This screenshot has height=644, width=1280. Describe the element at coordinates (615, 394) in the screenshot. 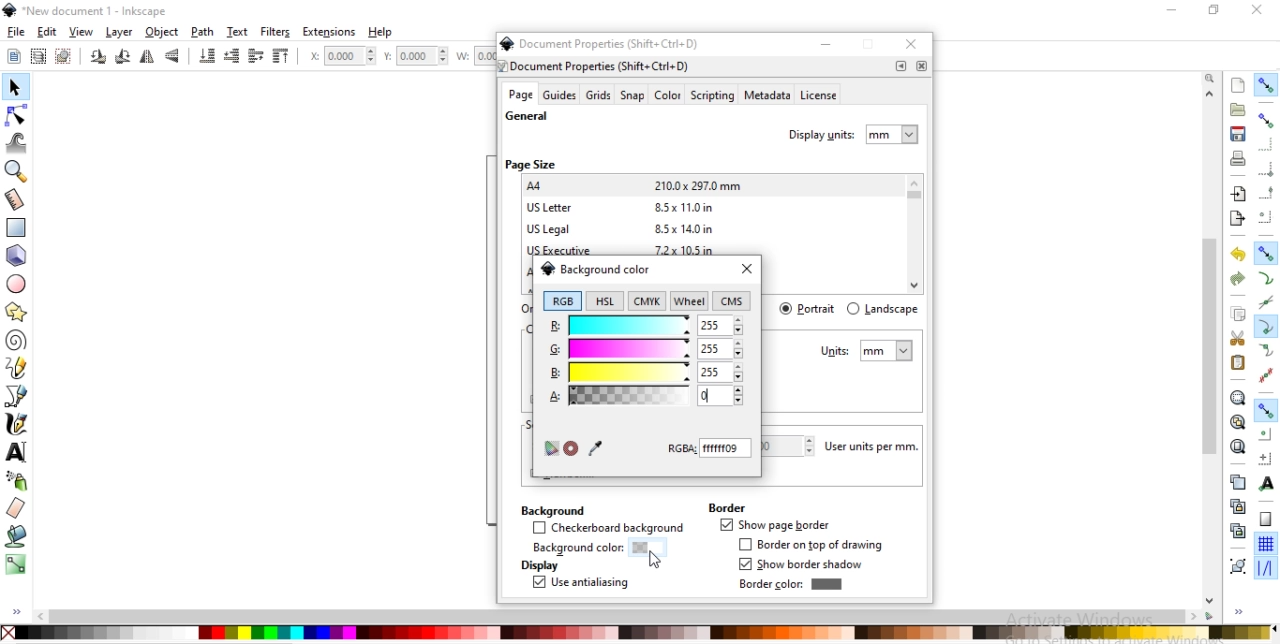

I see `alpha` at that location.